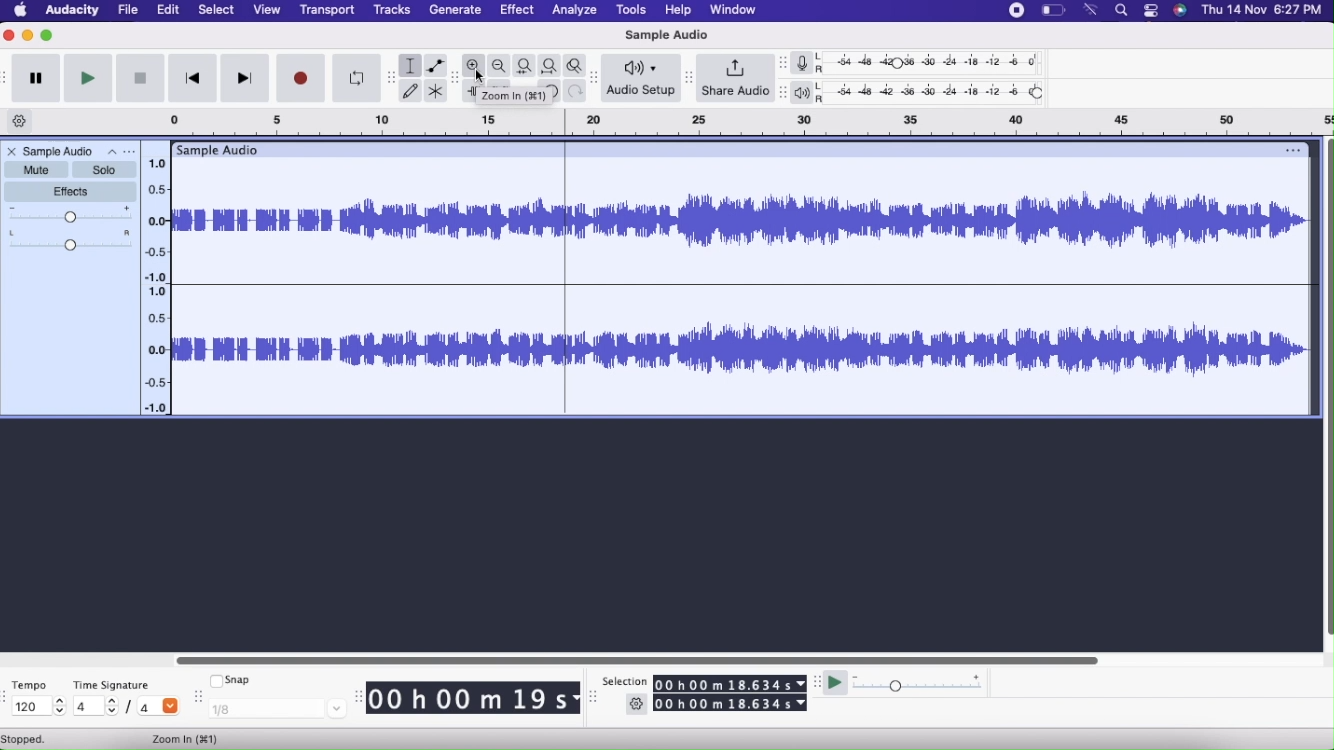 The height and width of the screenshot is (750, 1334). What do you see at coordinates (733, 10) in the screenshot?
I see `Window` at bounding box center [733, 10].